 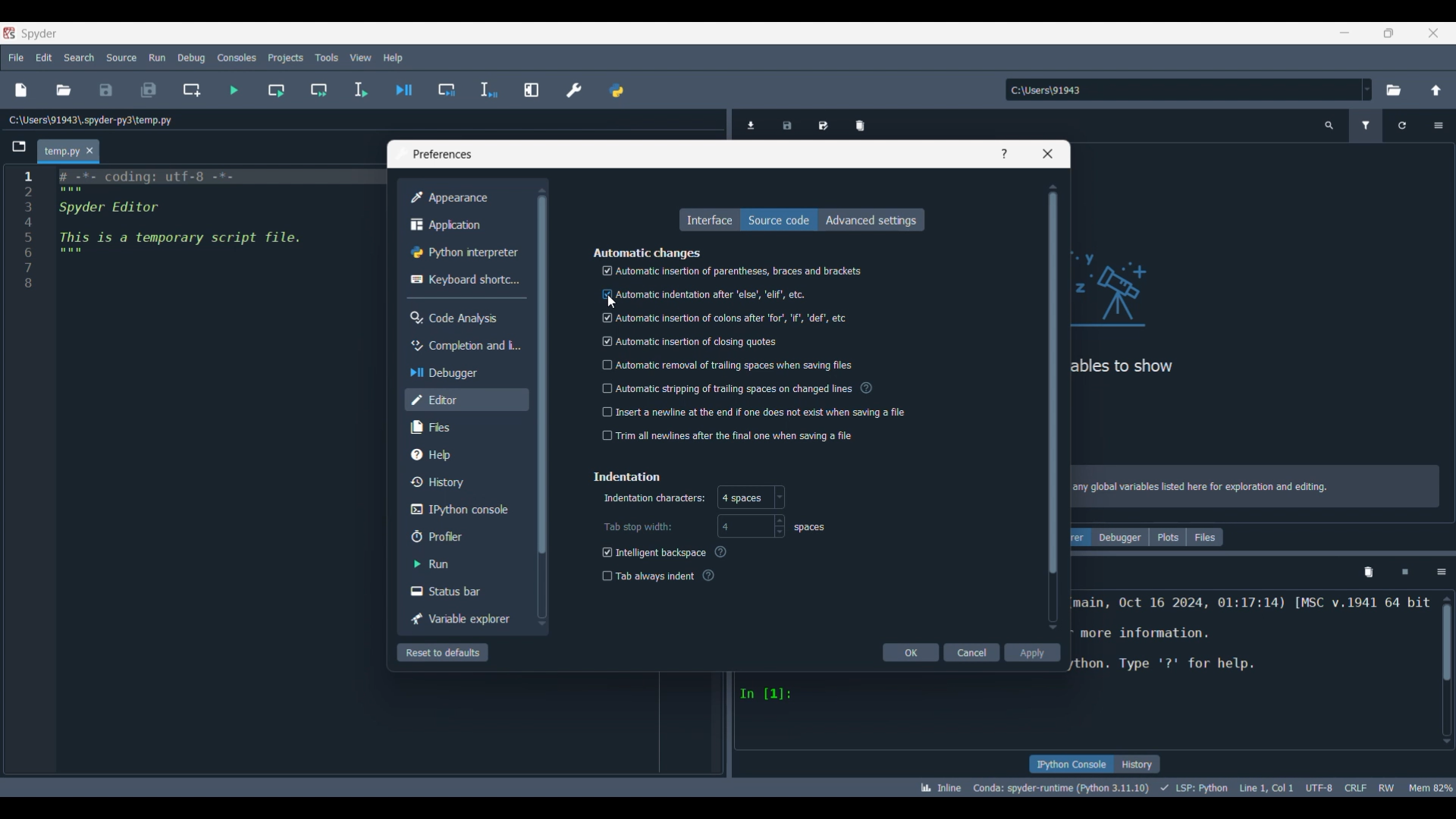 I want to click on Software logo, so click(x=9, y=33).